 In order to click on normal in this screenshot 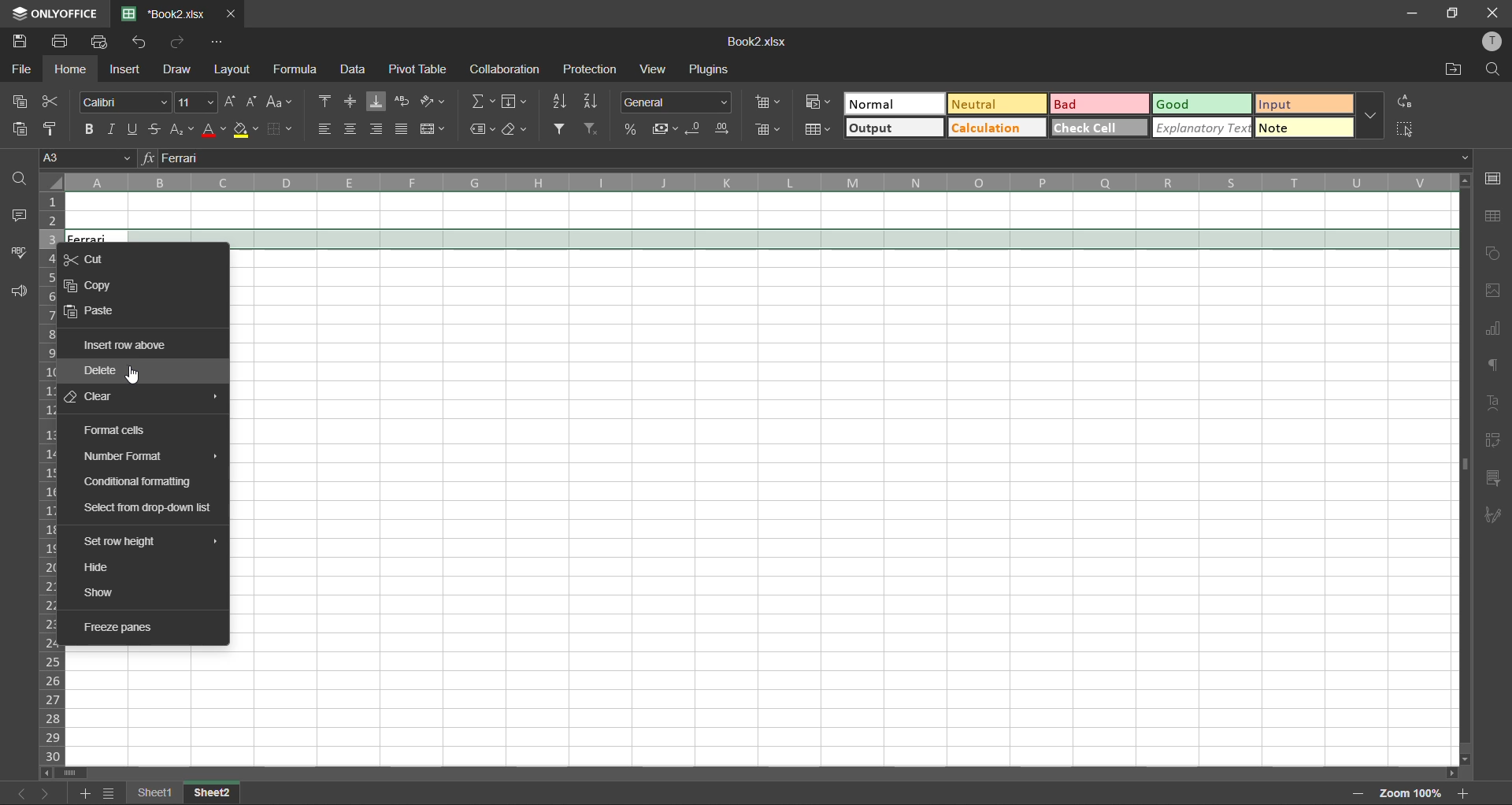, I will do `click(895, 105)`.